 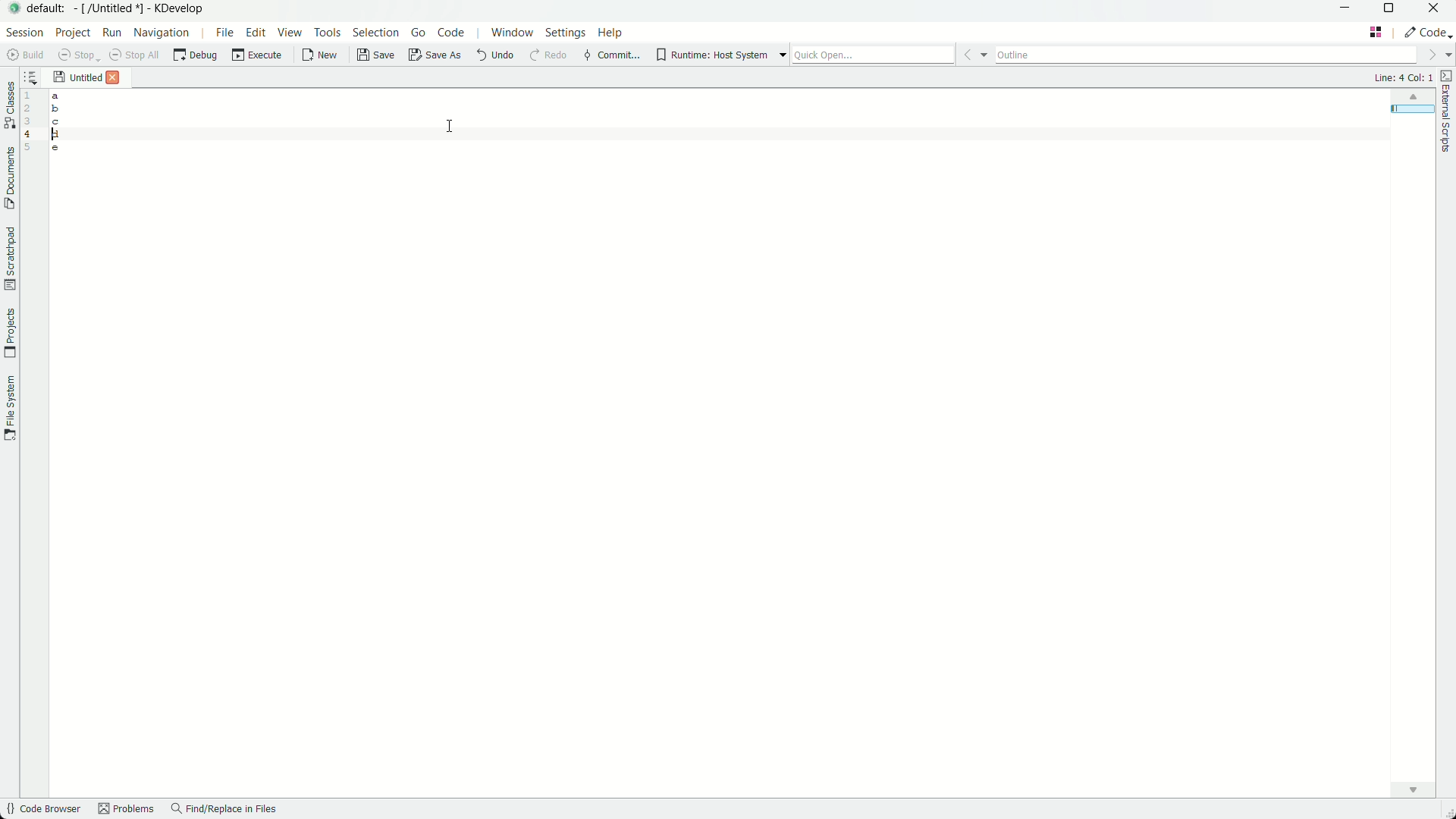 I want to click on commit, so click(x=611, y=55).